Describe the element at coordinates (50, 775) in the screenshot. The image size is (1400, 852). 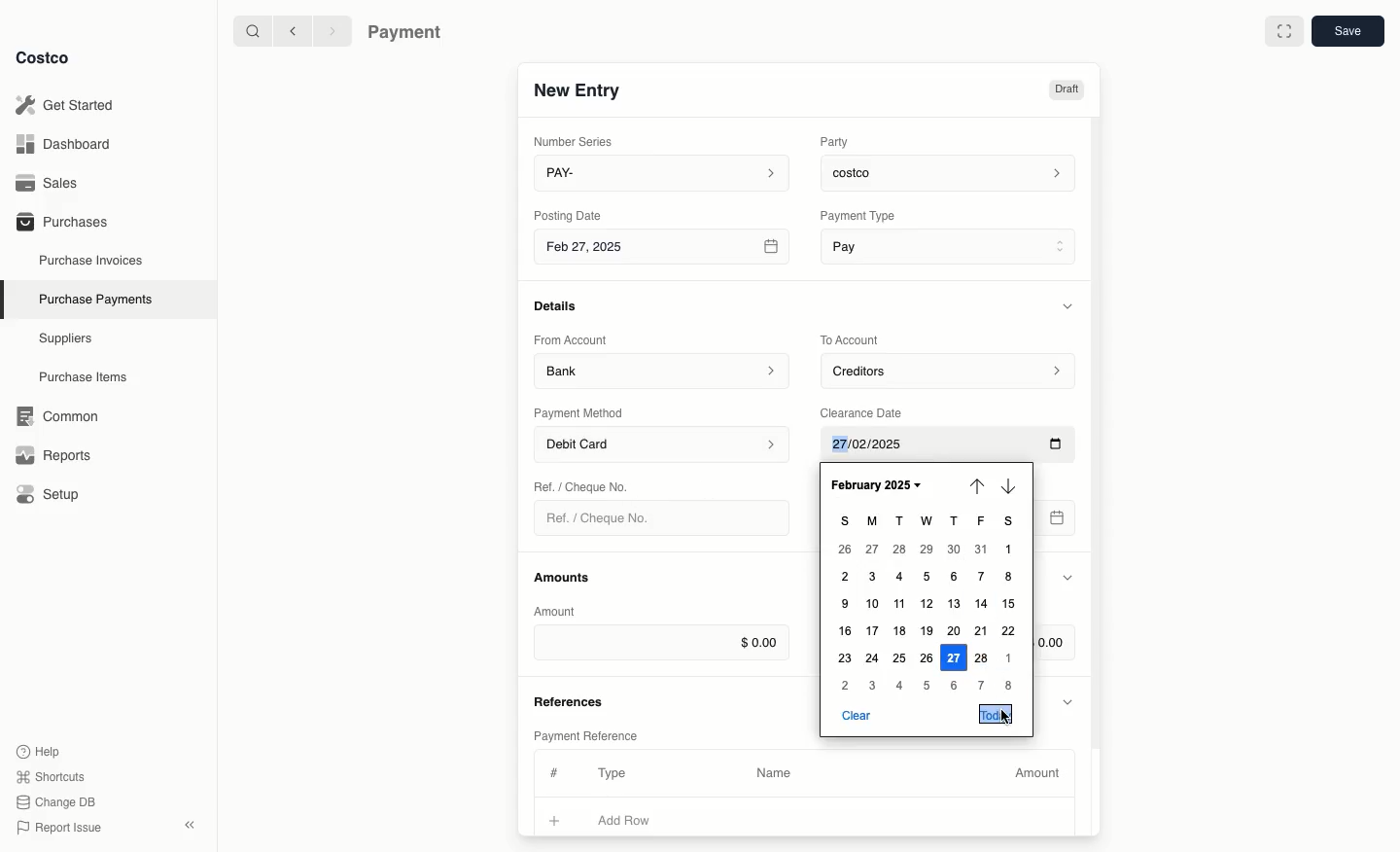
I see `Shortcuts` at that location.